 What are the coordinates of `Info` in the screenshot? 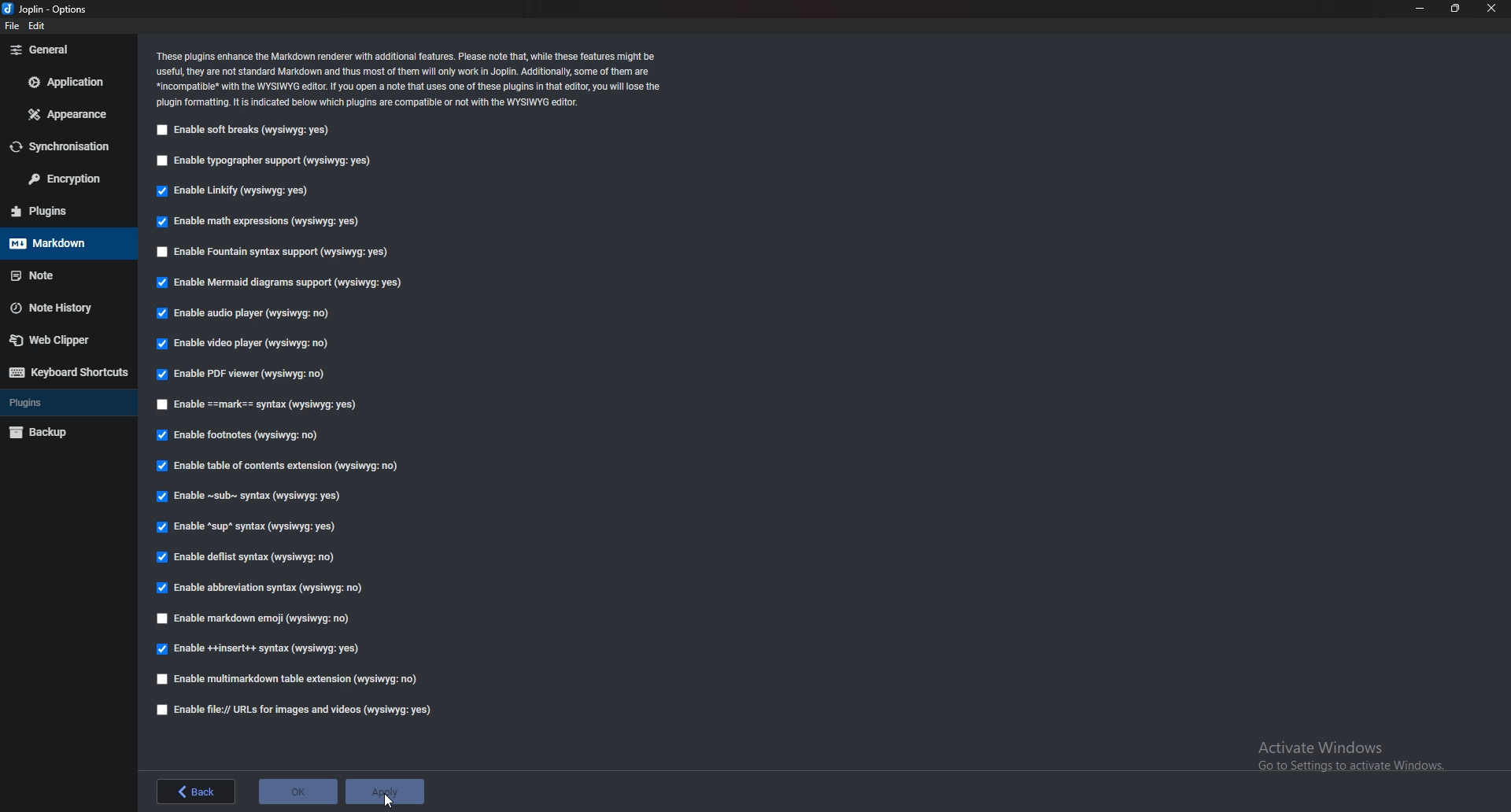 It's located at (410, 79).